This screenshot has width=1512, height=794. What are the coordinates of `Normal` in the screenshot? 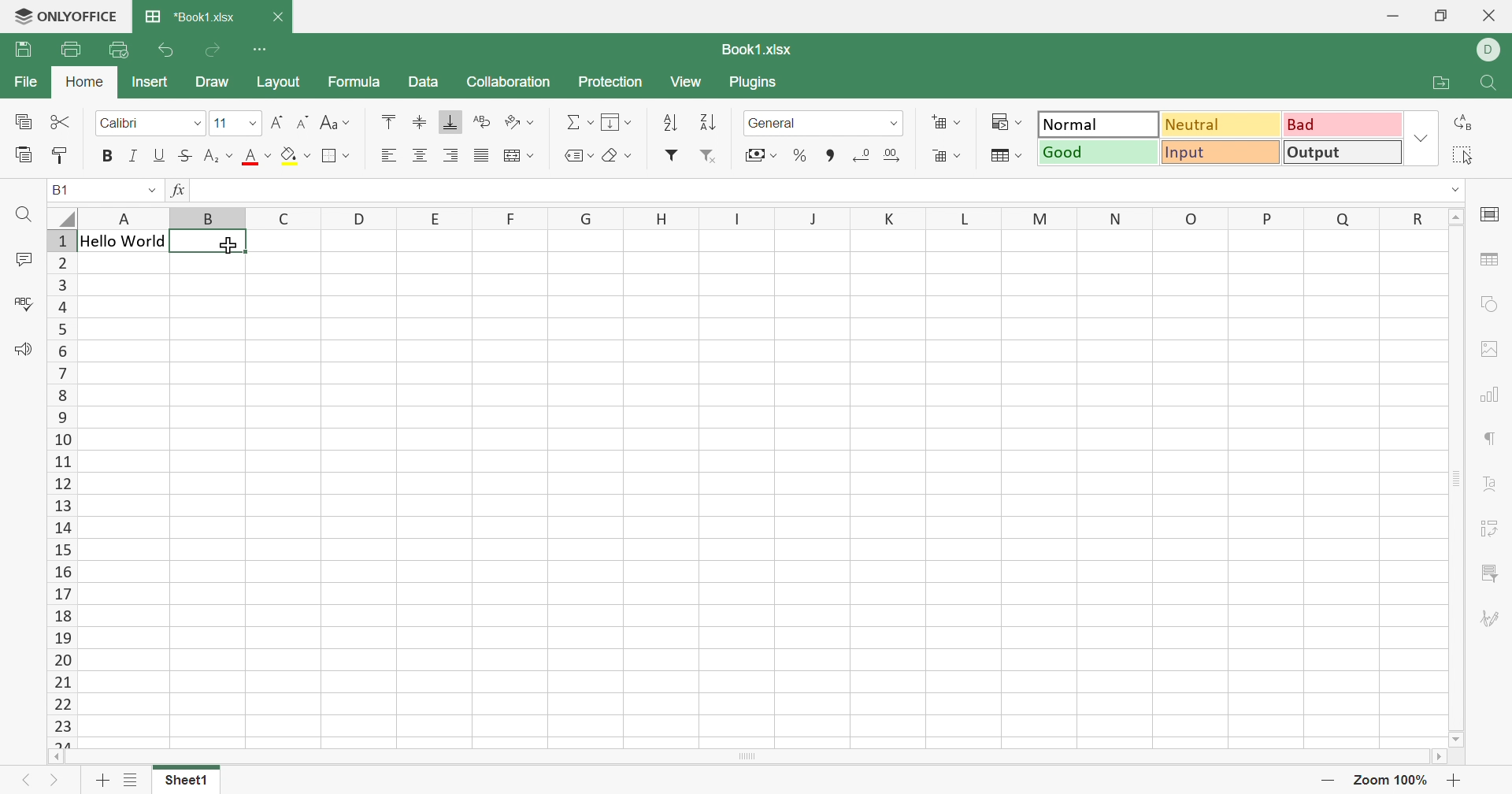 It's located at (1097, 124).